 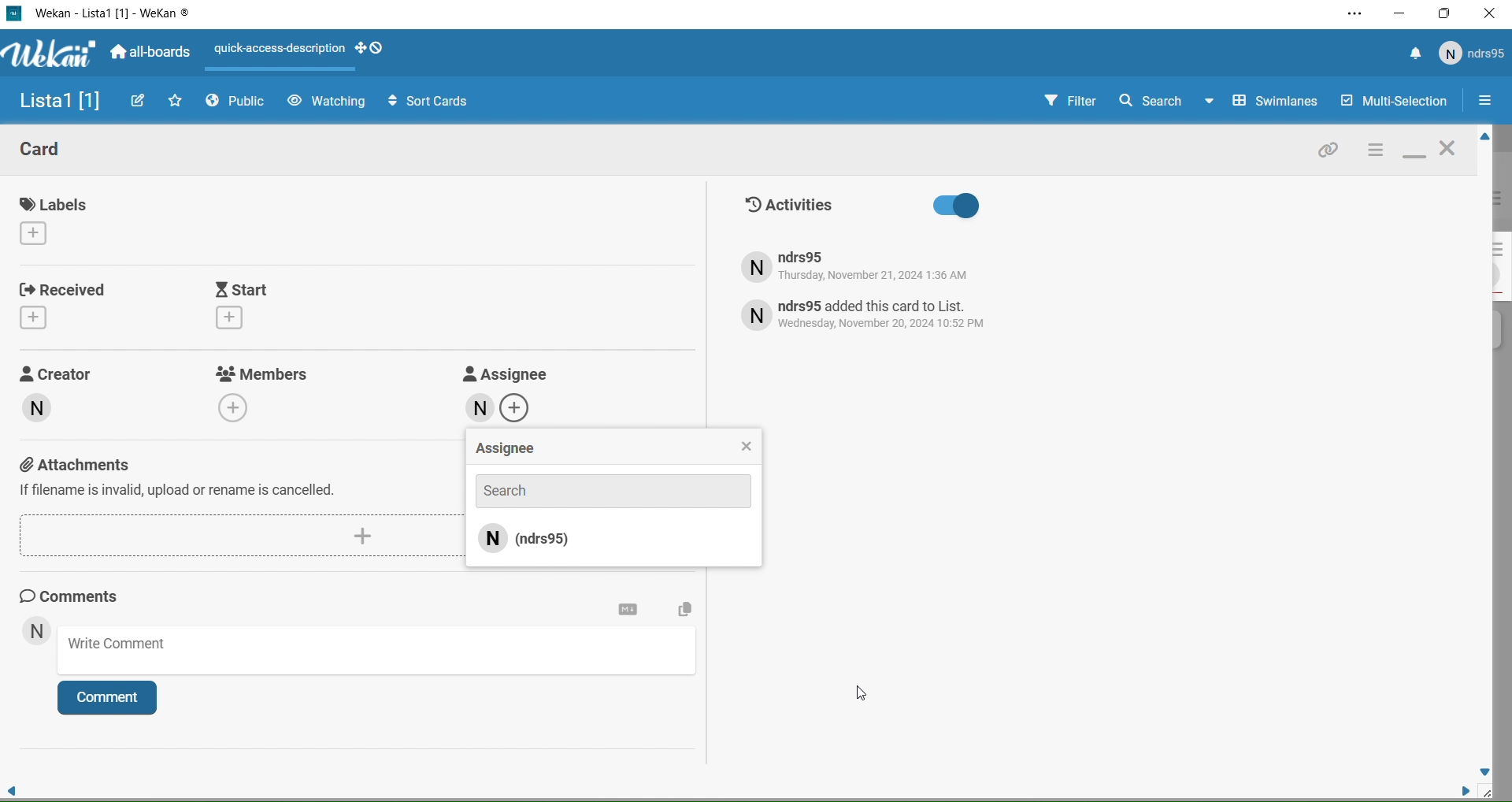 I want to click on Coment, so click(x=114, y=701).